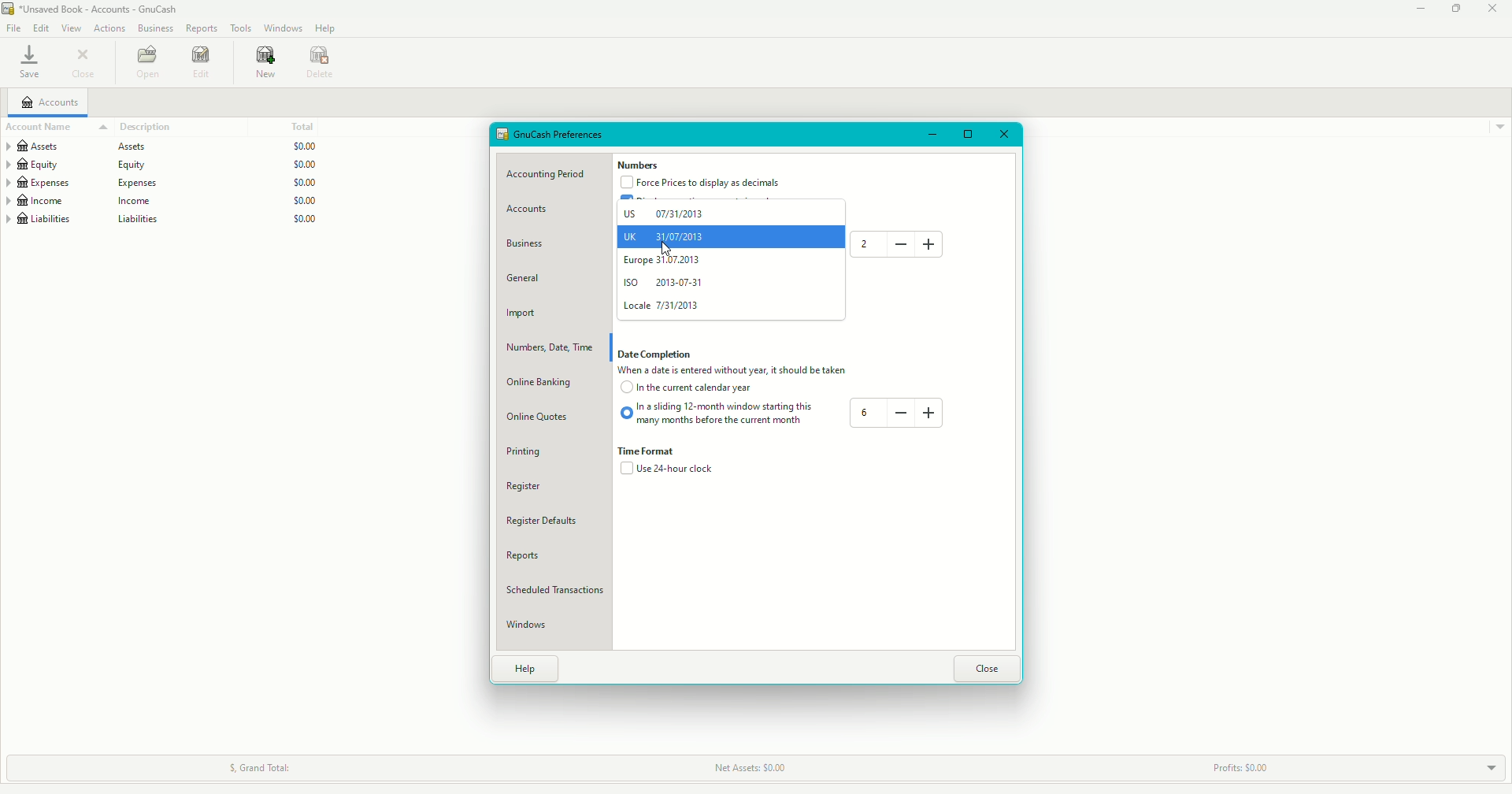  Describe the element at coordinates (9, 9) in the screenshot. I see `logo` at that location.